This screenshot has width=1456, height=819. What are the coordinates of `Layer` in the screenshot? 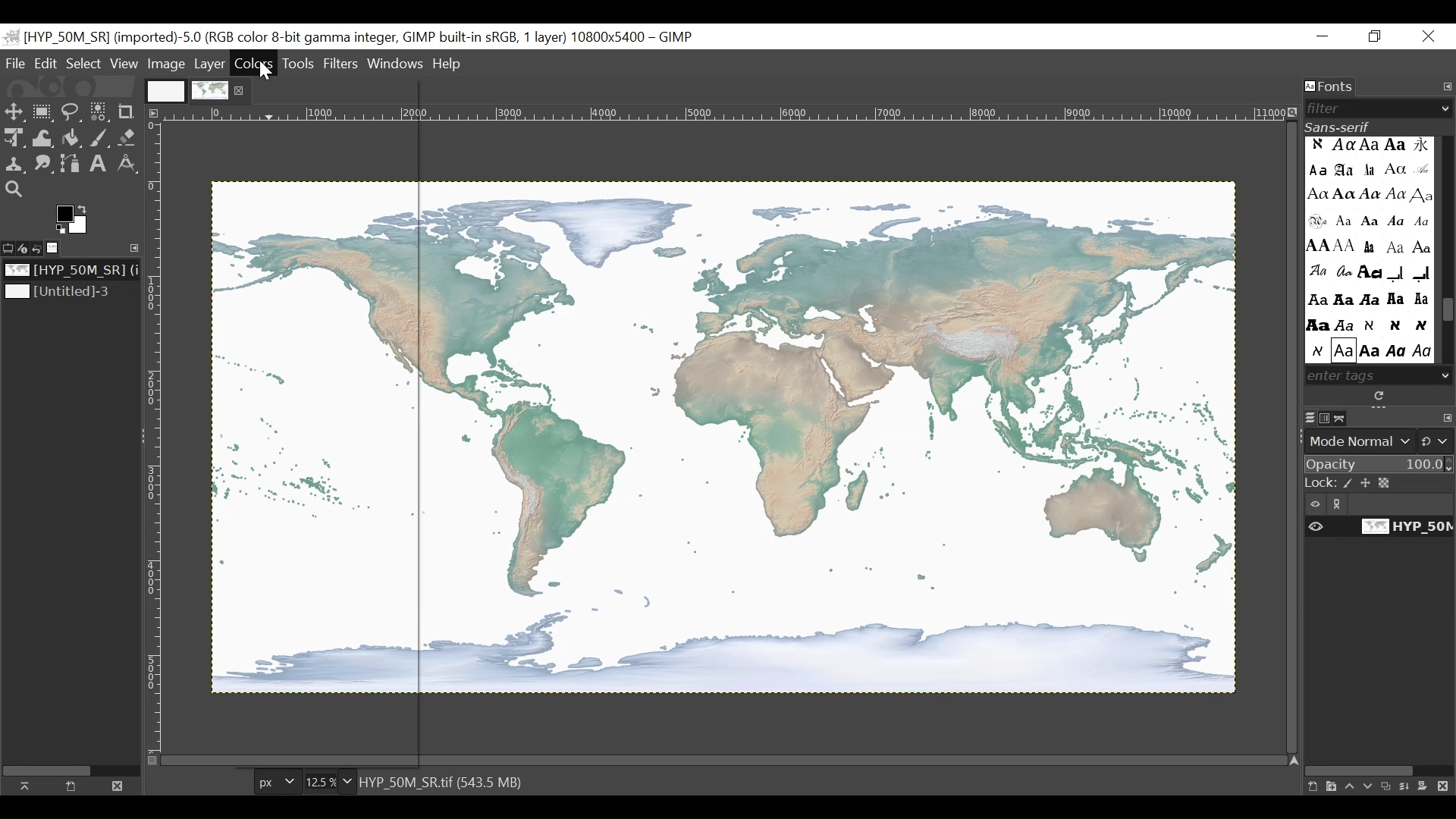 It's located at (210, 64).